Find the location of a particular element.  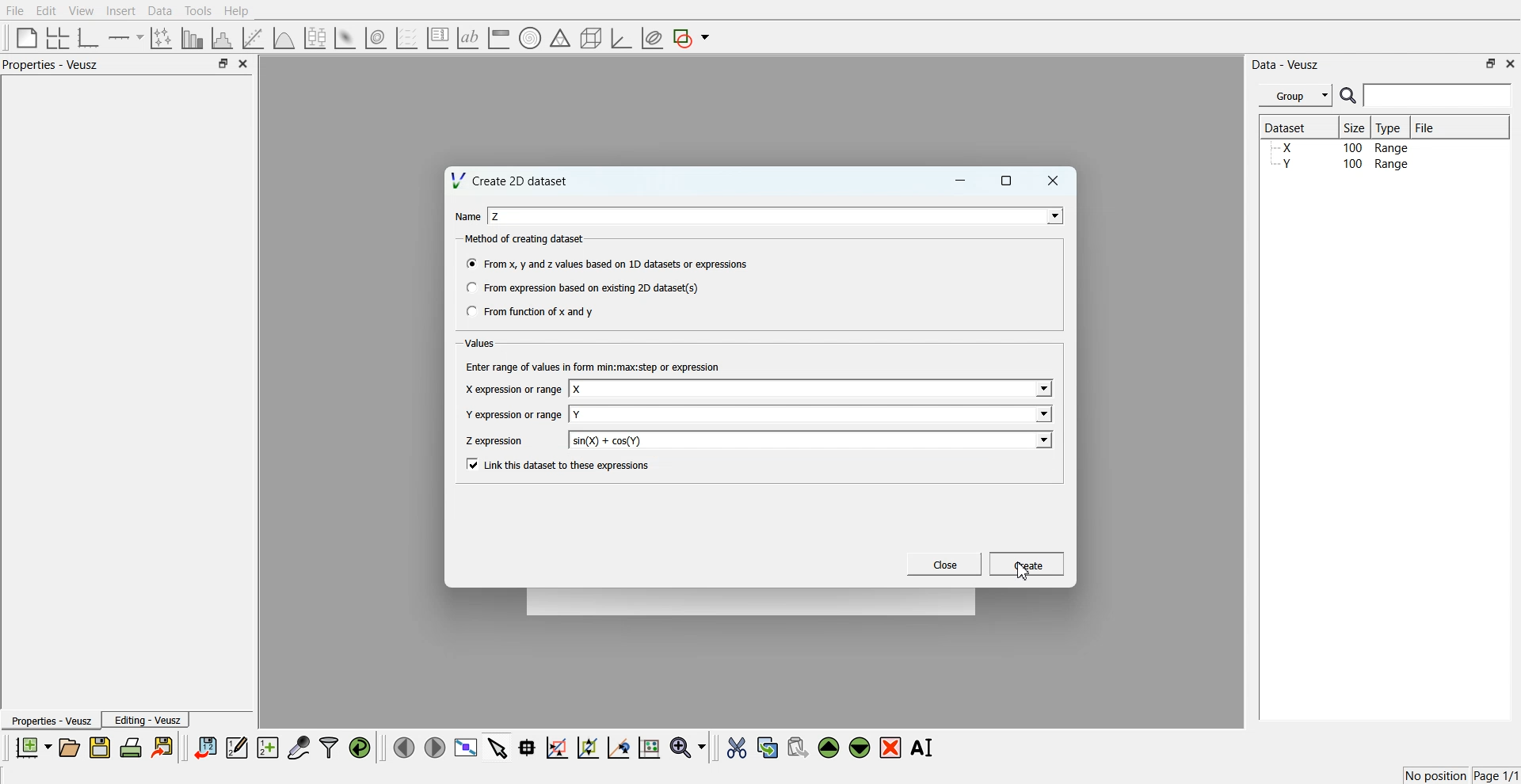

Method of creating dataset is located at coordinates (526, 239).